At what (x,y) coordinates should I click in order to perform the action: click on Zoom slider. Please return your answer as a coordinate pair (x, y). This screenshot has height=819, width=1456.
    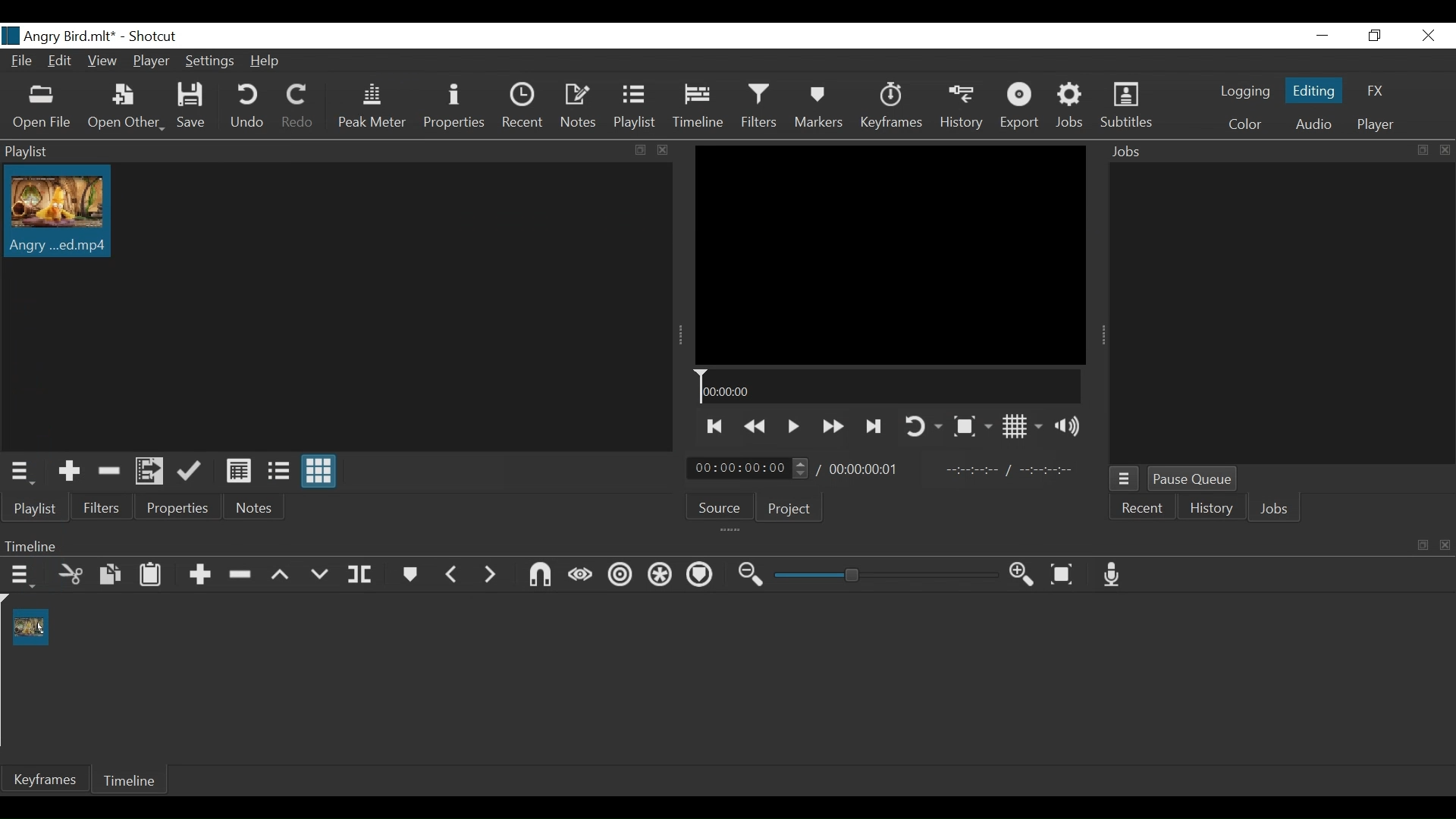
    Looking at the image, I should click on (886, 575).